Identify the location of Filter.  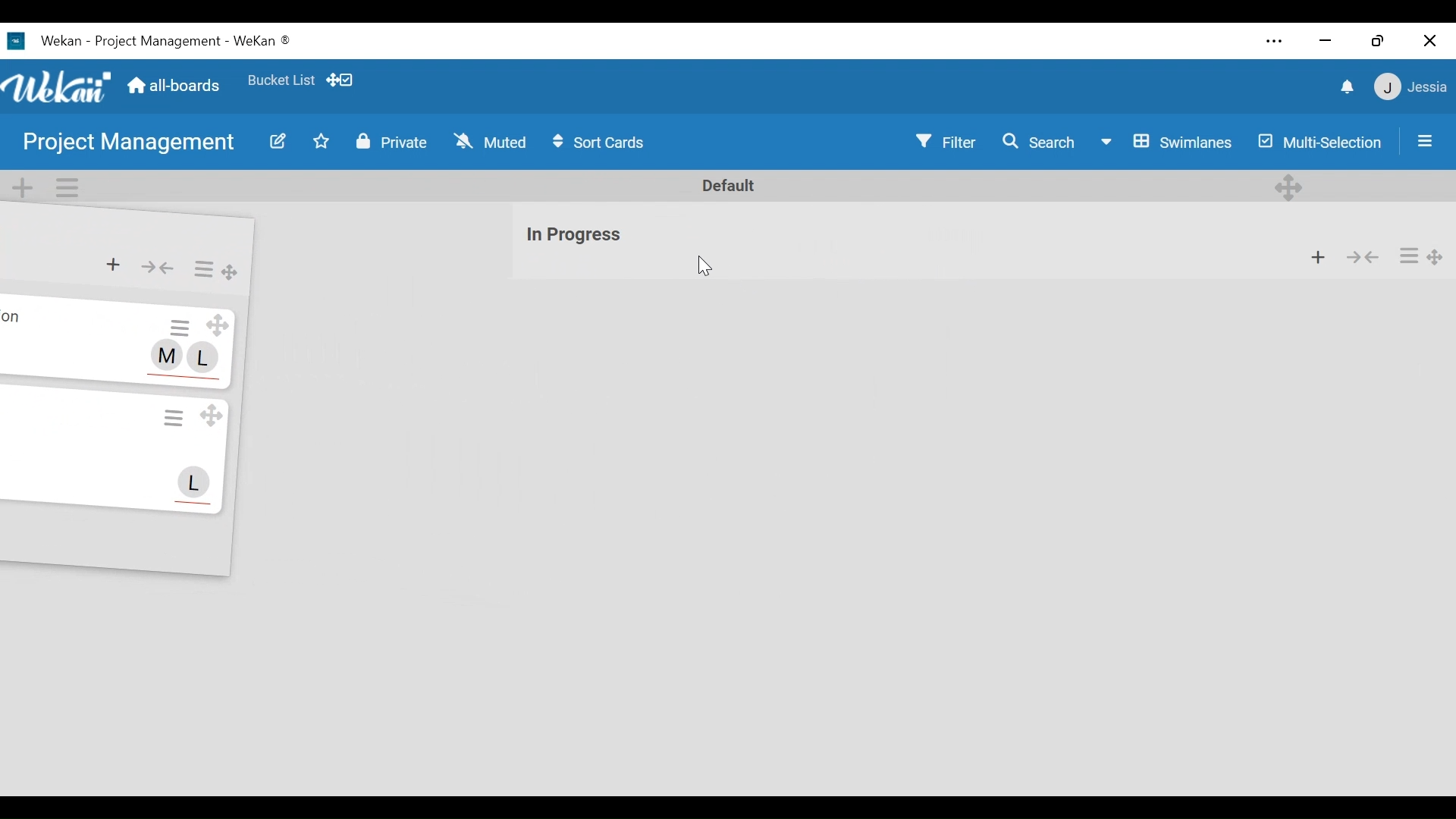
(945, 141).